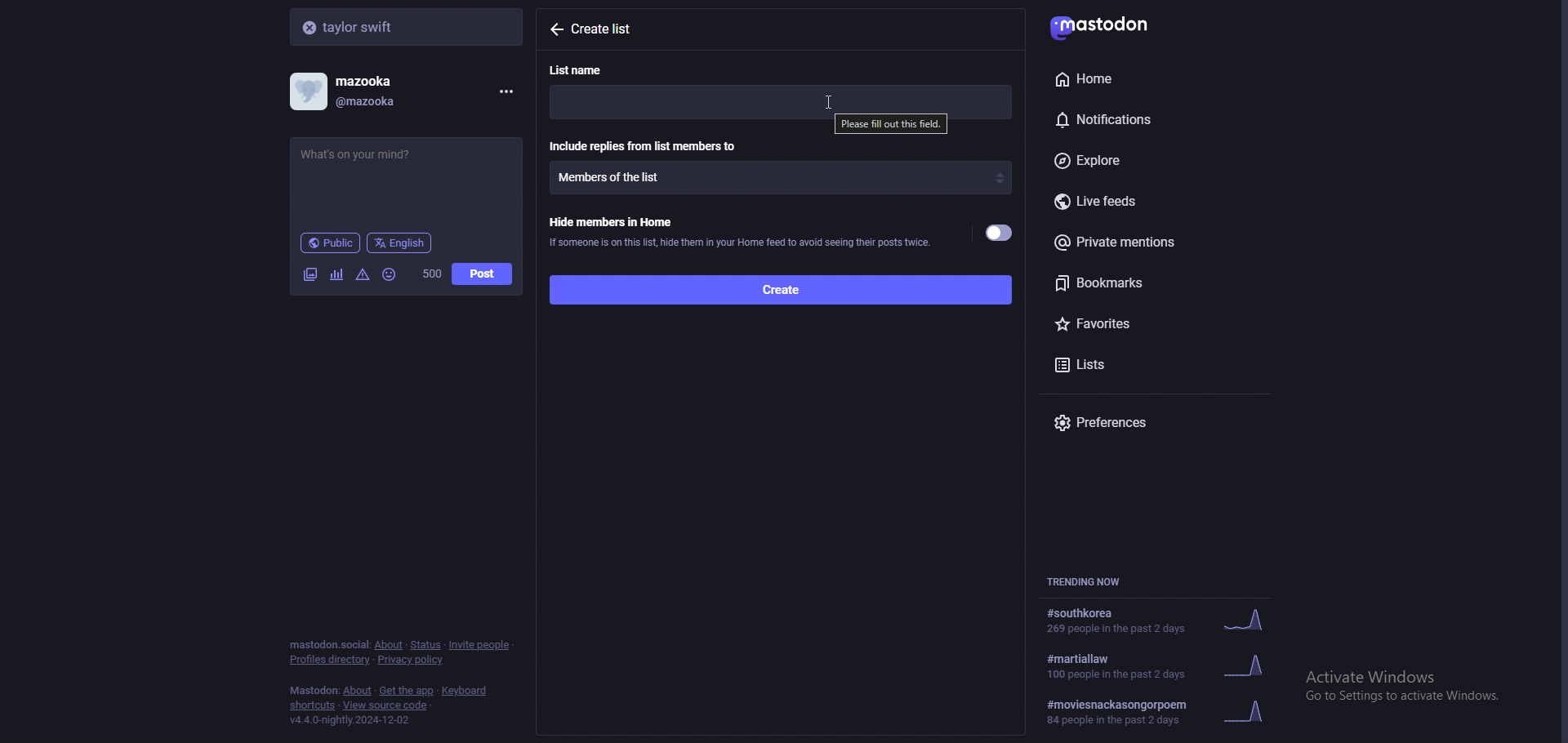 Image resolution: width=1568 pixels, height=743 pixels. I want to click on create, so click(779, 288).